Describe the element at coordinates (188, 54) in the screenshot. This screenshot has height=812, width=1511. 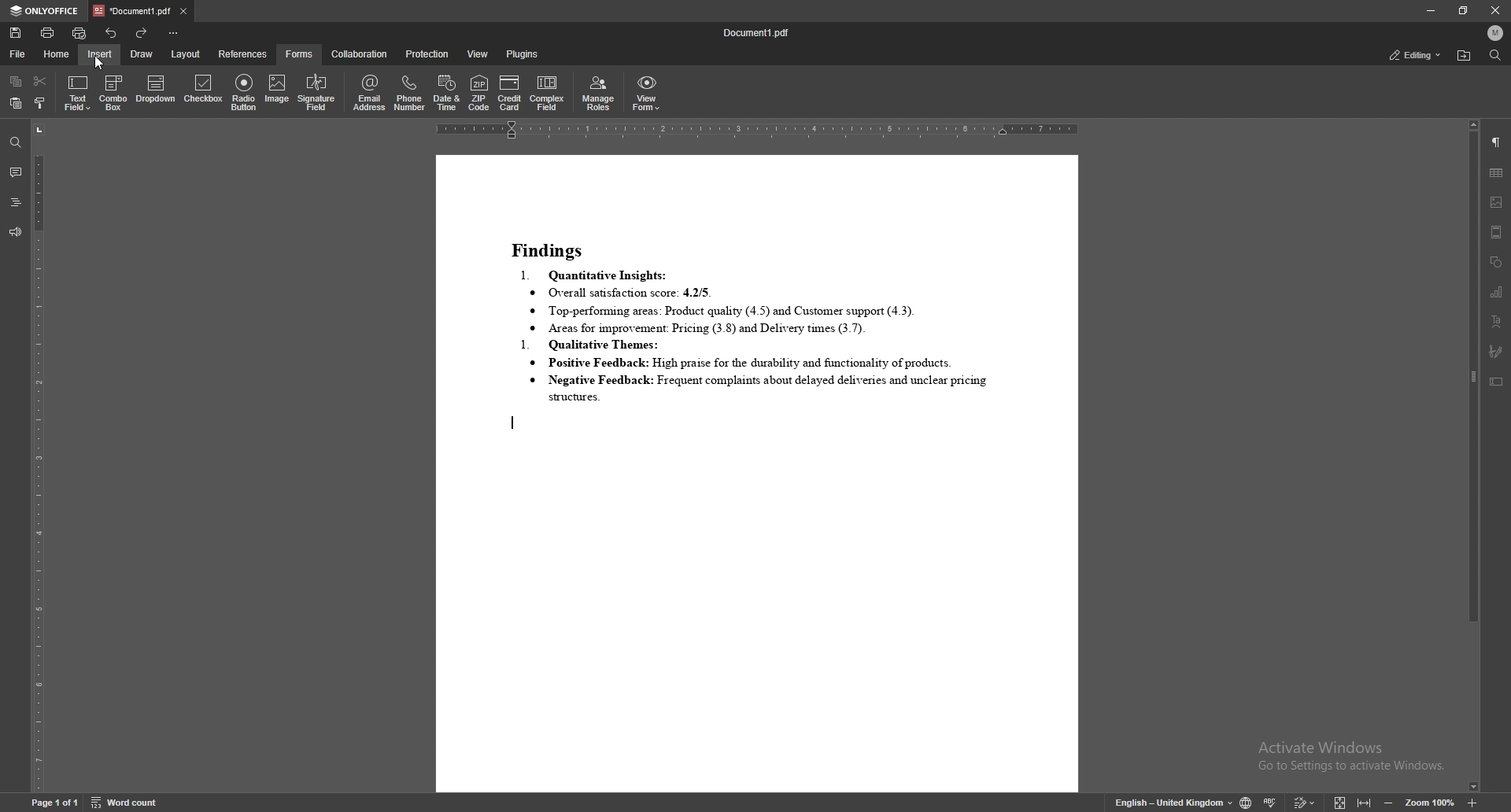
I see `layout` at that location.